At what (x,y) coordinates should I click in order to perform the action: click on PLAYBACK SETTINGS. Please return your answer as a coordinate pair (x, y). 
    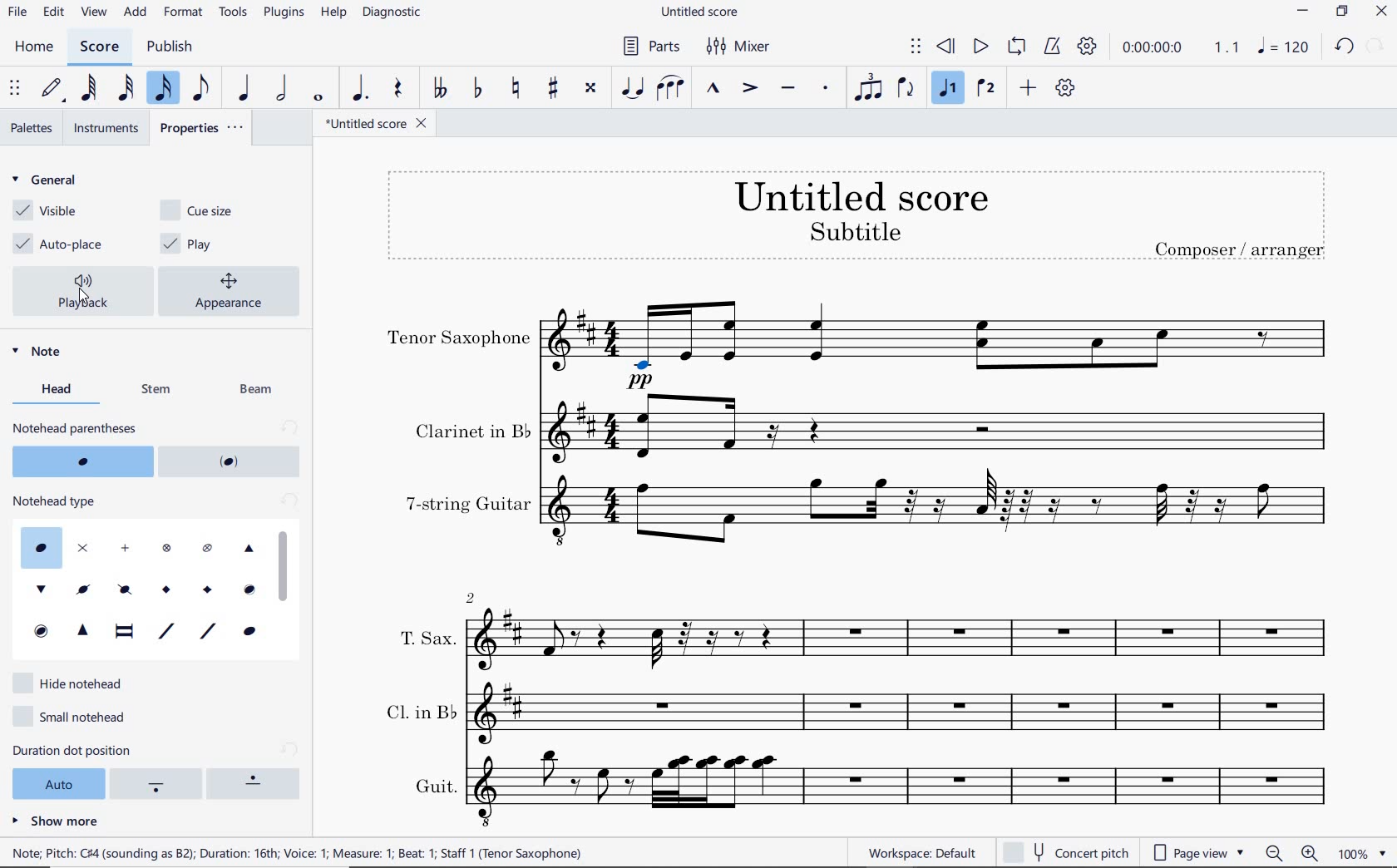
    Looking at the image, I should click on (1089, 47).